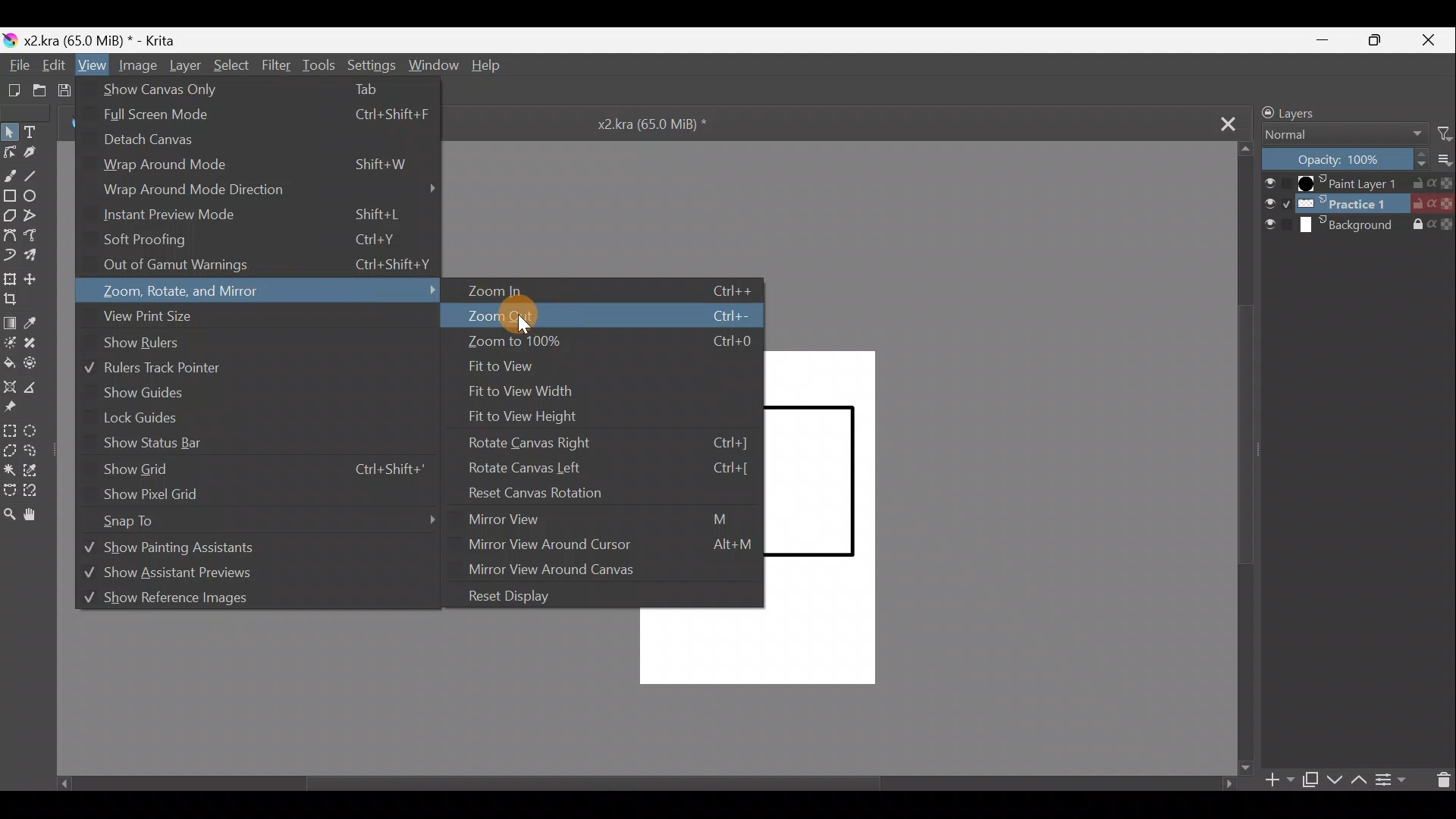 This screenshot has height=819, width=1456. What do you see at coordinates (10, 233) in the screenshot?
I see `Bezier curve tool` at bounding box center [10, 233].